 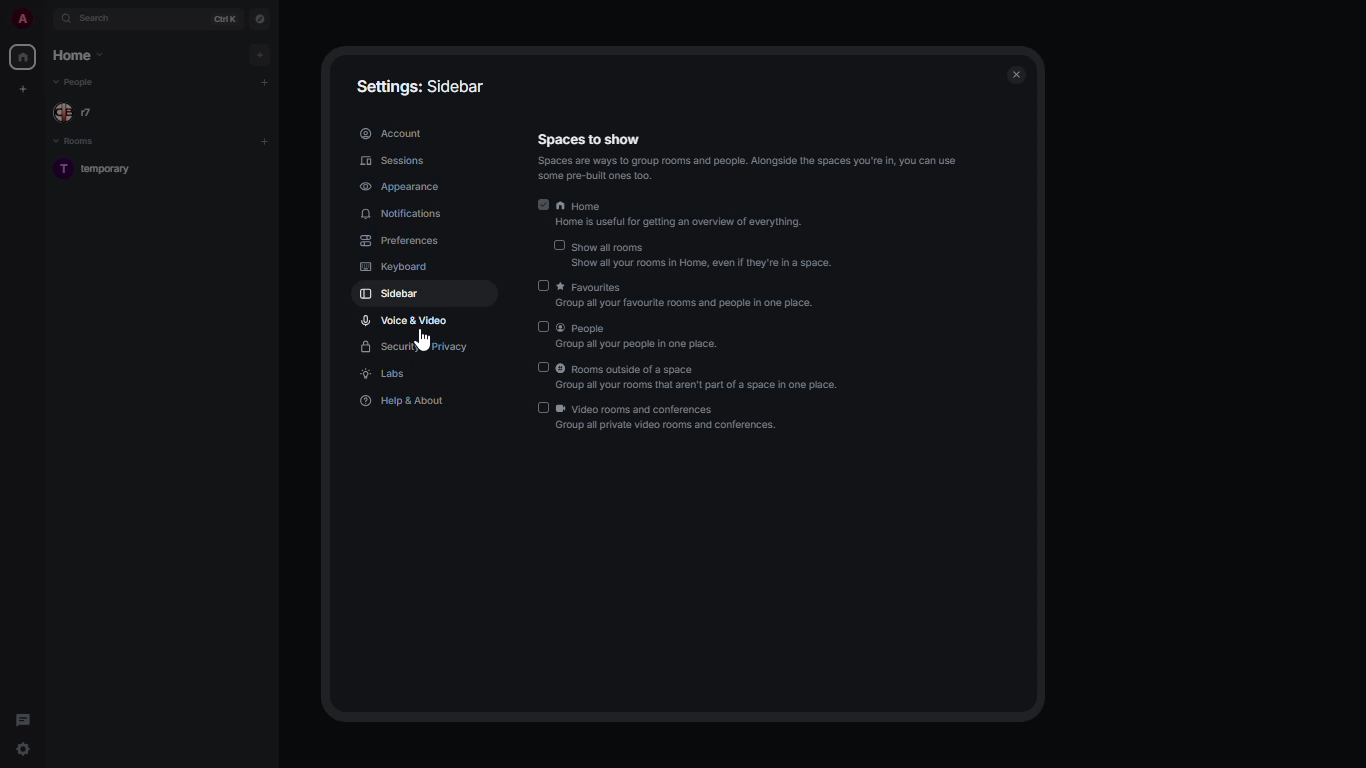 I want to click on disabled, so click(x=544, y=368).